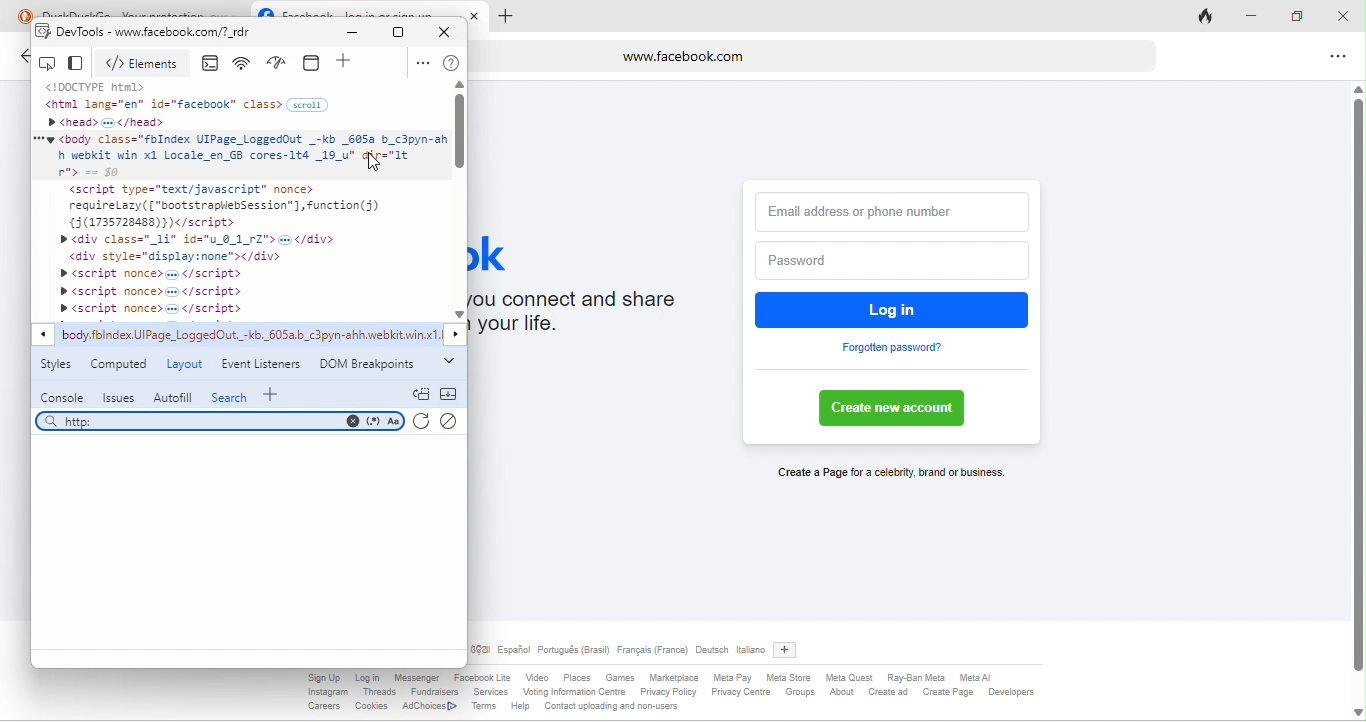  Describe the element at coordinates (790, 647) in the screenshot. I see `add` at that location.